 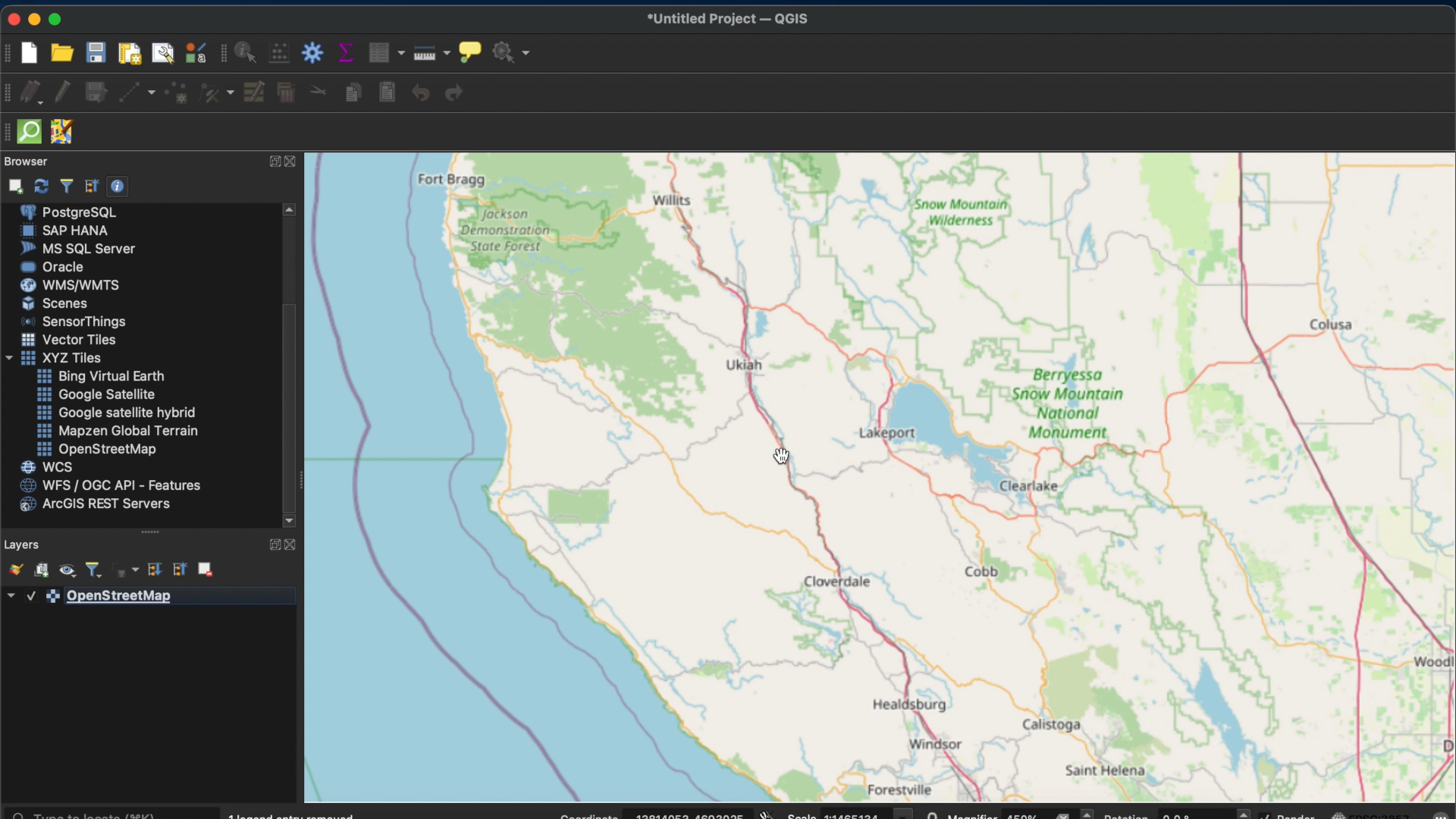 I want to click on toggle editing, so click(x=62, y=94).